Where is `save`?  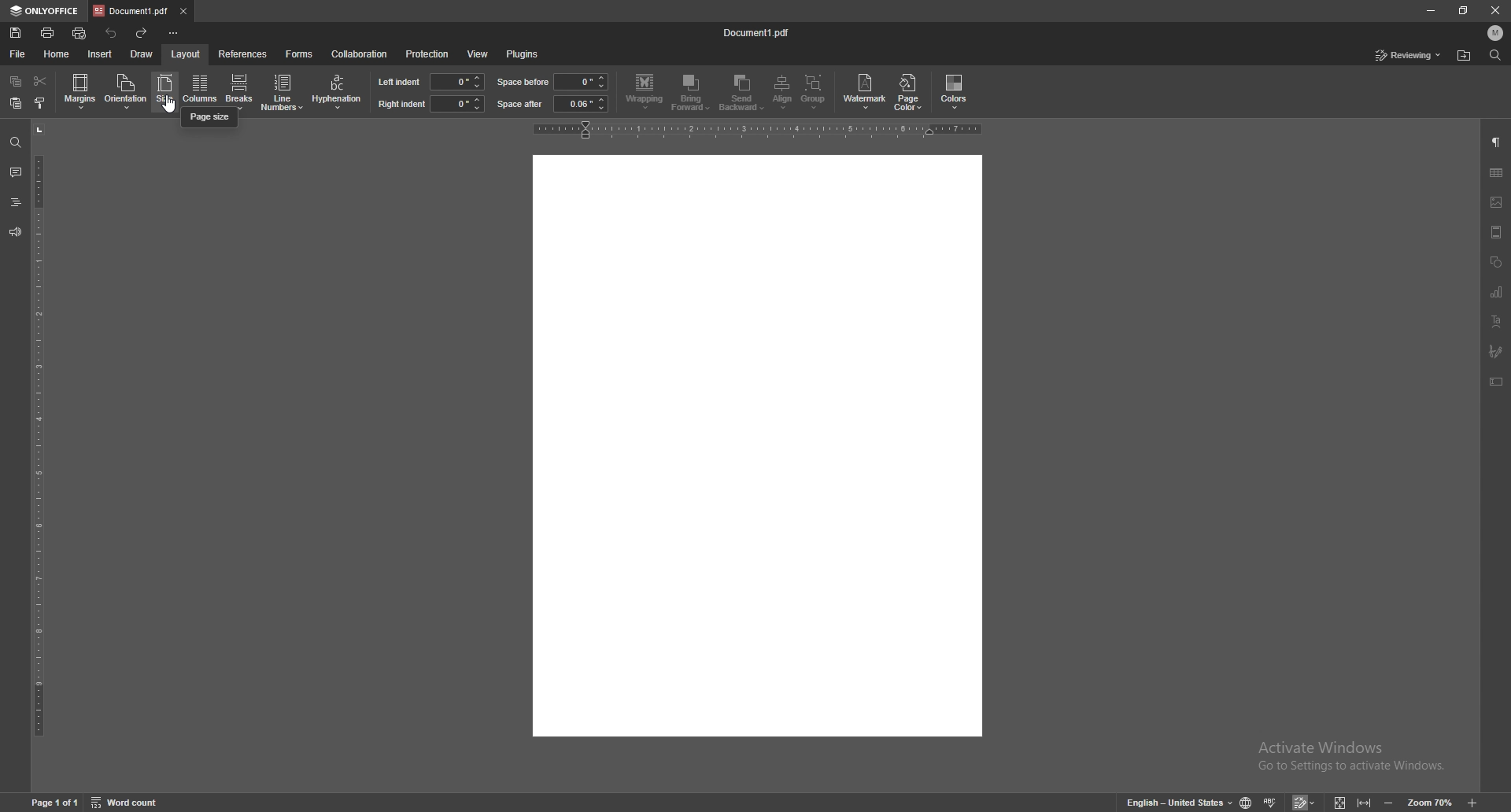 save is located at coordinates (17, 32).